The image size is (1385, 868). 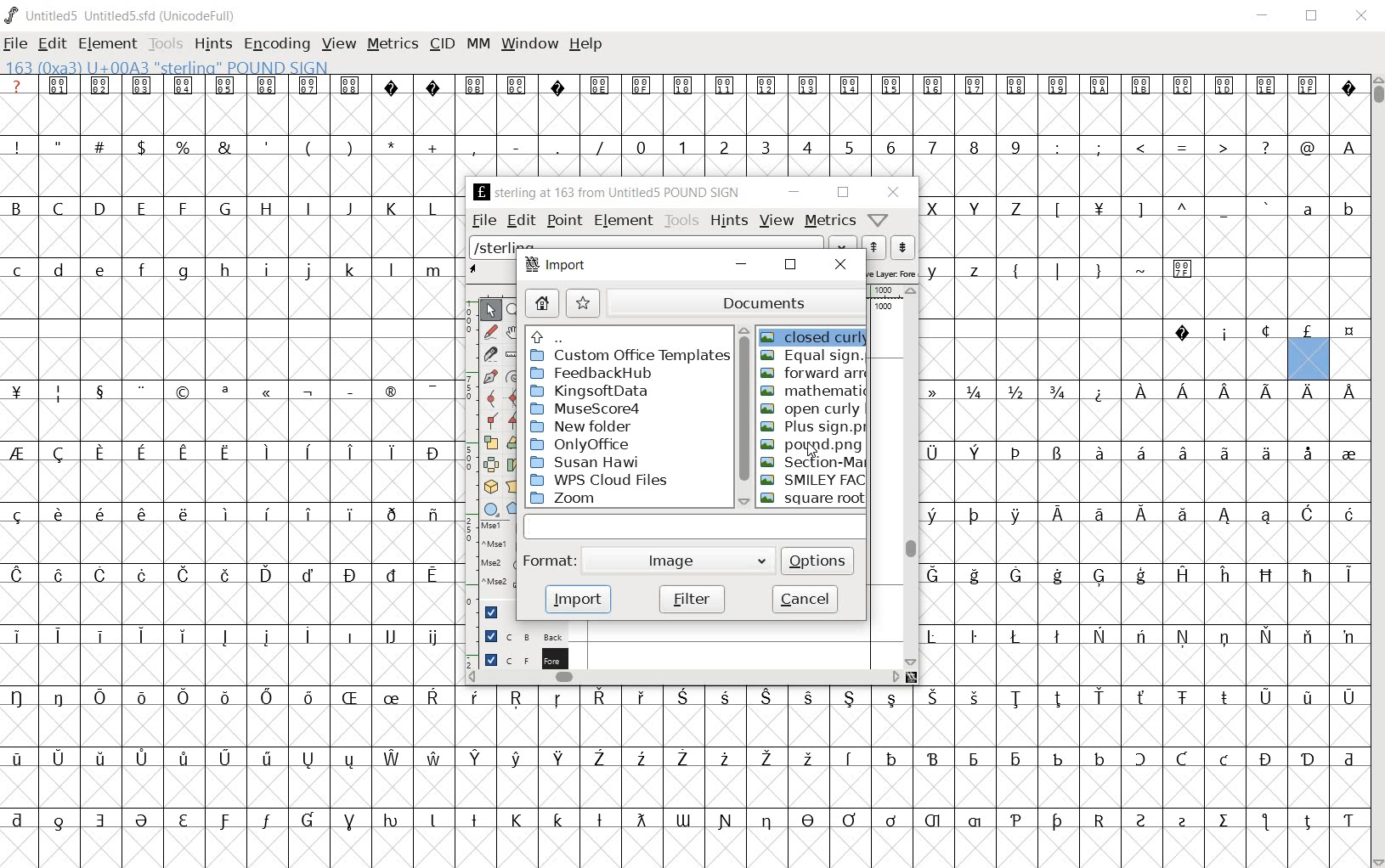 What do you see at coordinates (890, 147) in the screenshot?
I see `6` at bounding box center [890, 147].